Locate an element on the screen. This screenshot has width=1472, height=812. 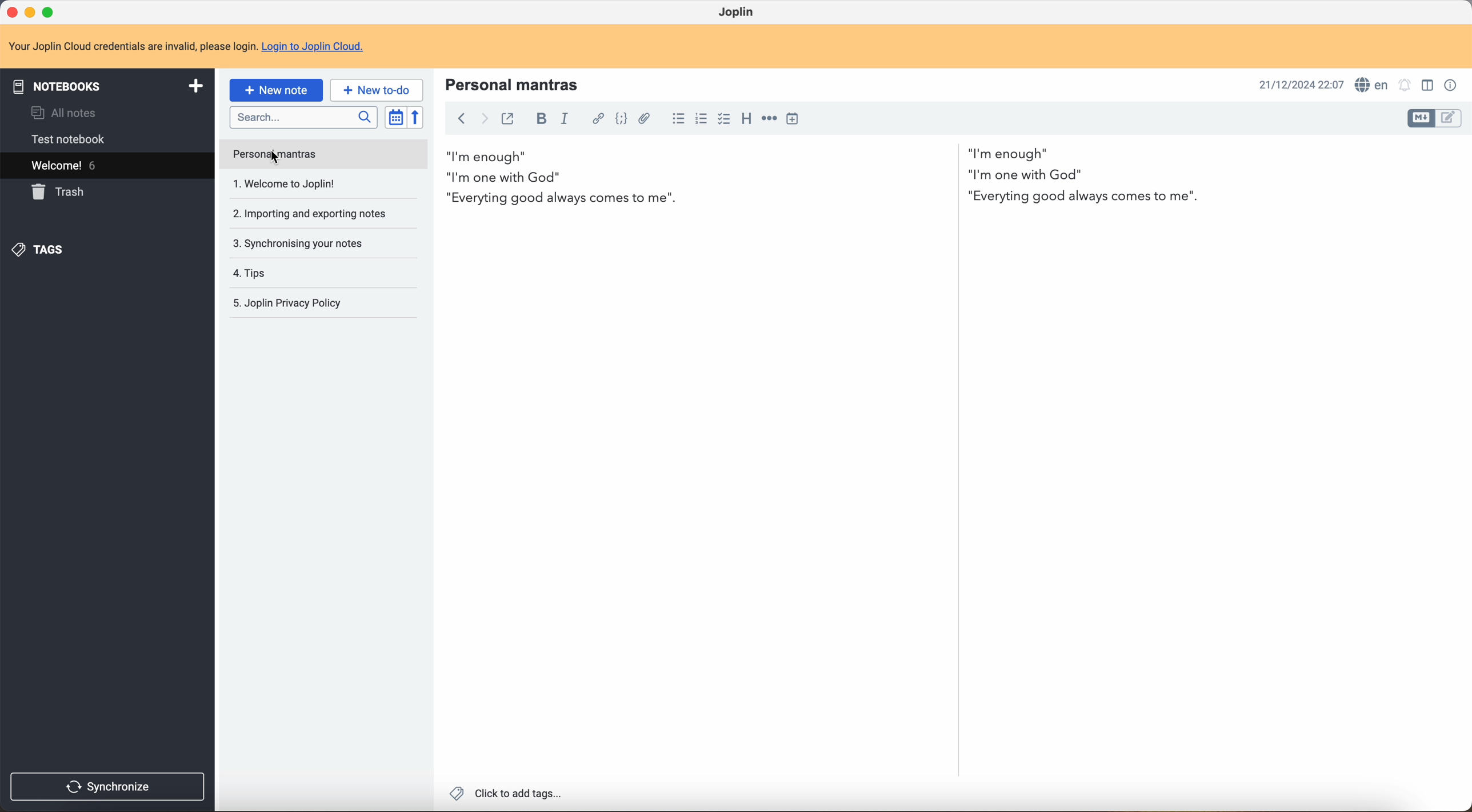
Joplin privacy policy is located at coordinates (290, 303).